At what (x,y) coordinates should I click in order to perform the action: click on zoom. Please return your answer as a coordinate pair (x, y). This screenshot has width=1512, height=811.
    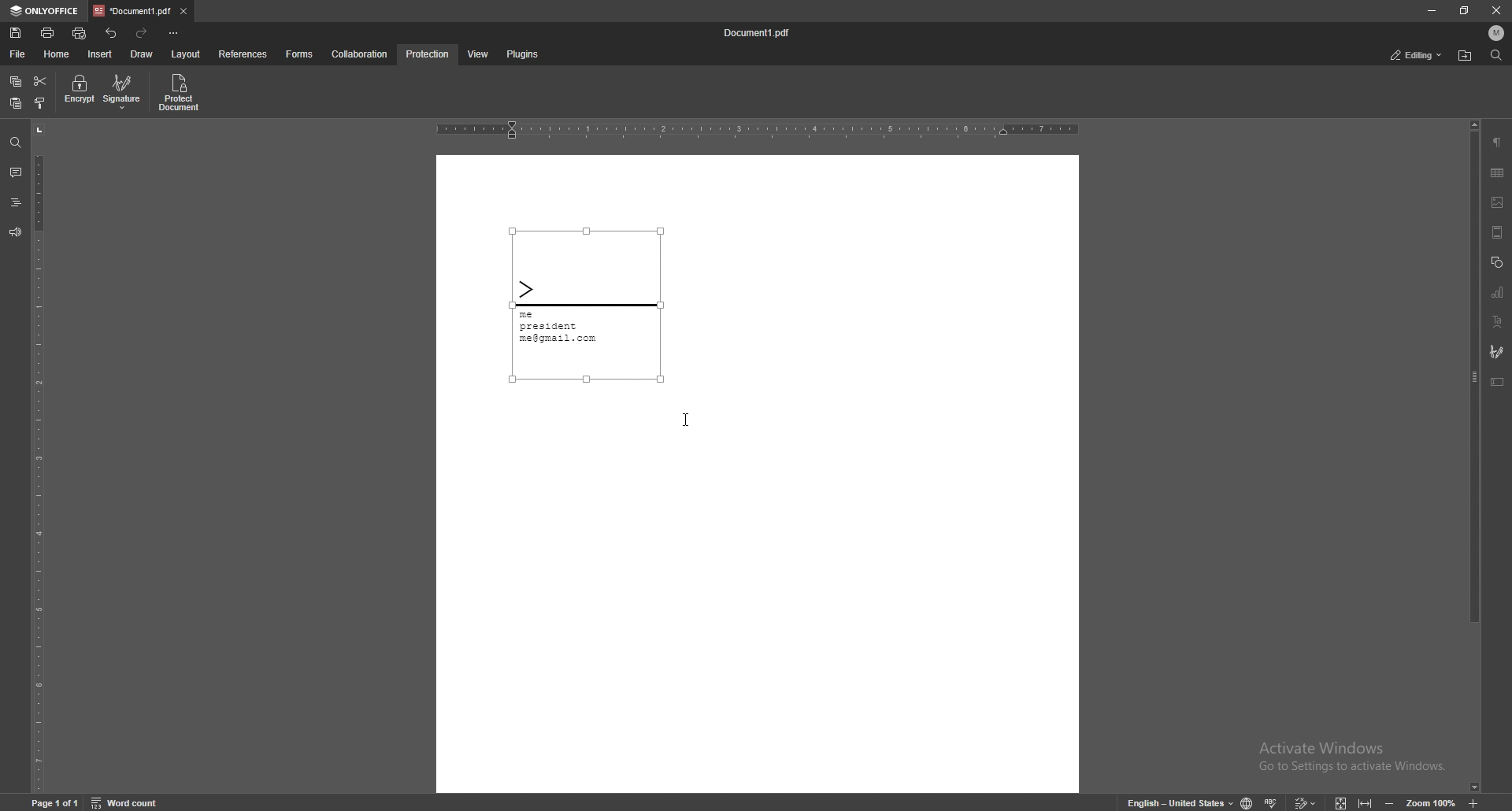
    Looking at the image, I should click on (1420, 802).